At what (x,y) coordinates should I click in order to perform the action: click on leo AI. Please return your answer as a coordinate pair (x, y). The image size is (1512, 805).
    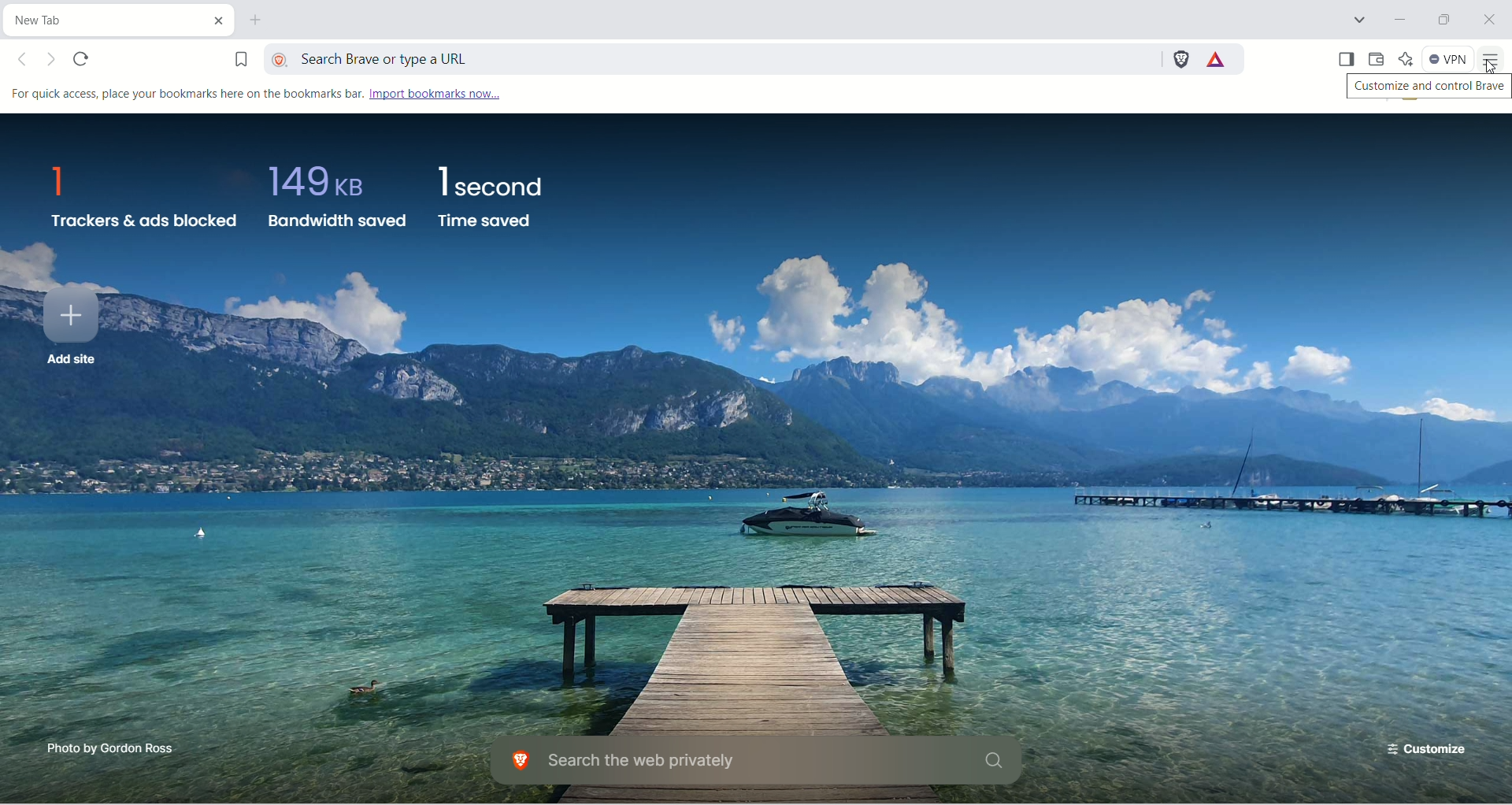
    Looking at the image, I should click on (1406, 57).